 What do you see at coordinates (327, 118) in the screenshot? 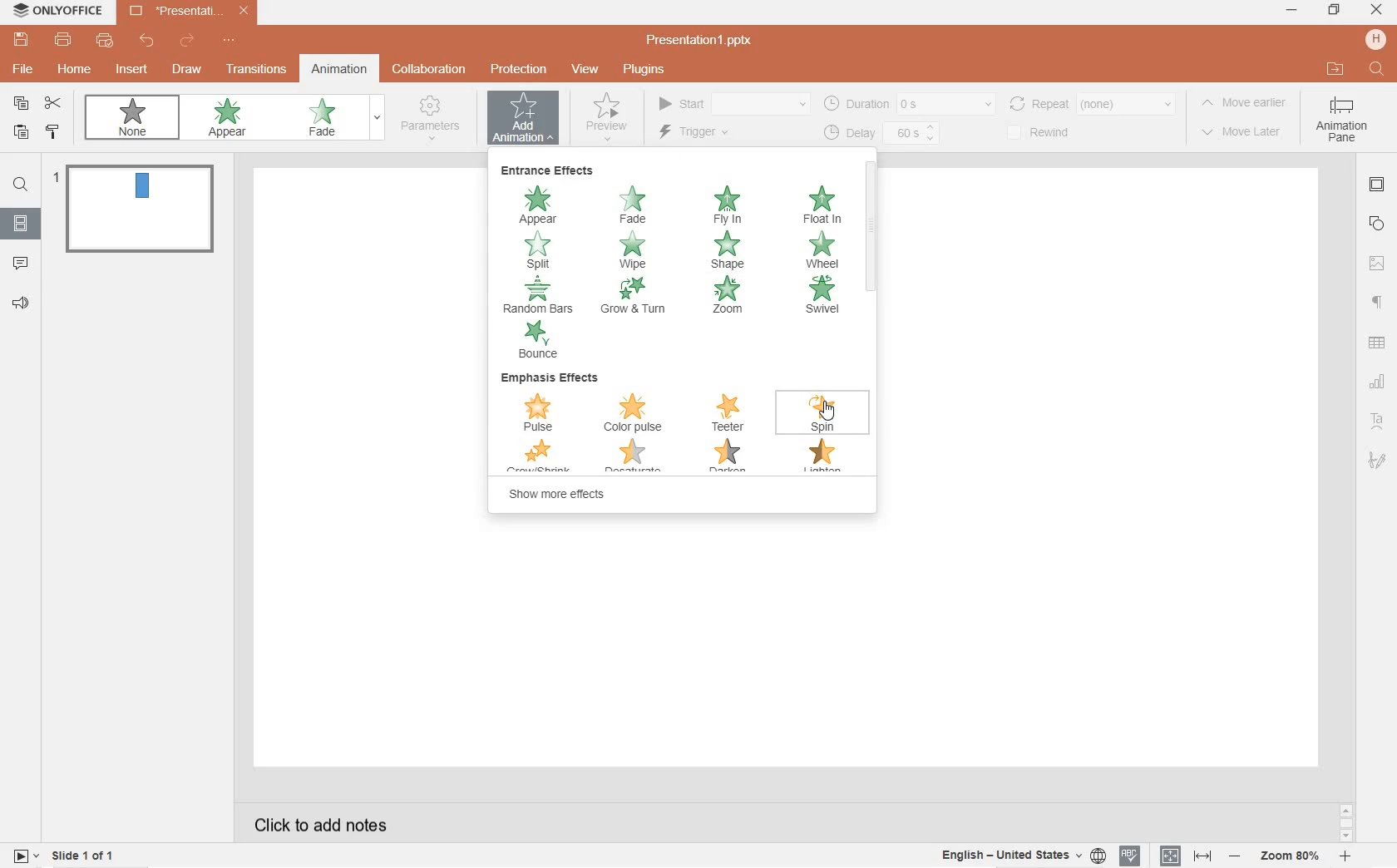
I see `fade` at bounding box center [327, 118].